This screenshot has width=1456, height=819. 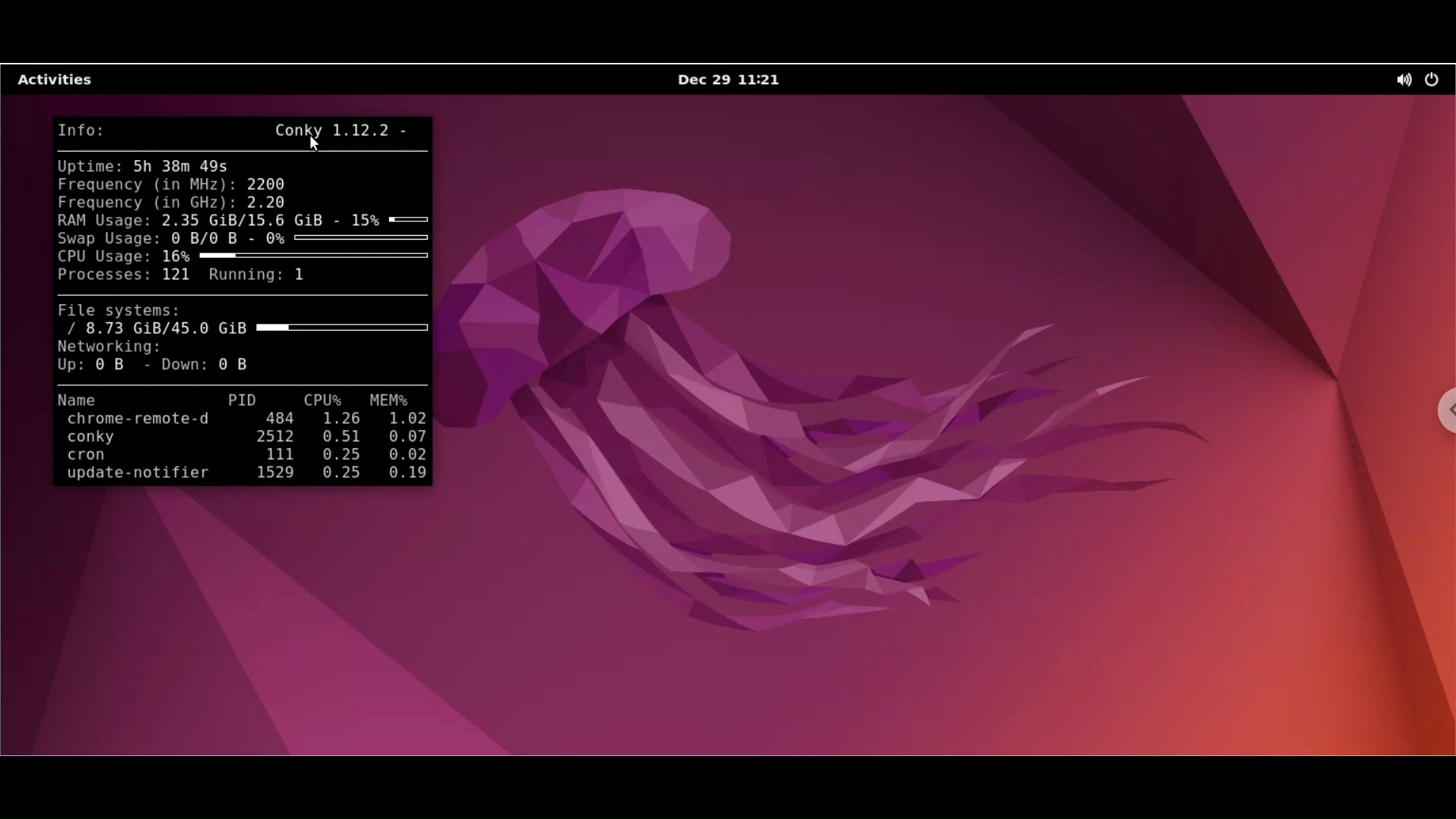 I want to click on 2.35 GiB/15.6 GiB, so click(x=249, y=221).